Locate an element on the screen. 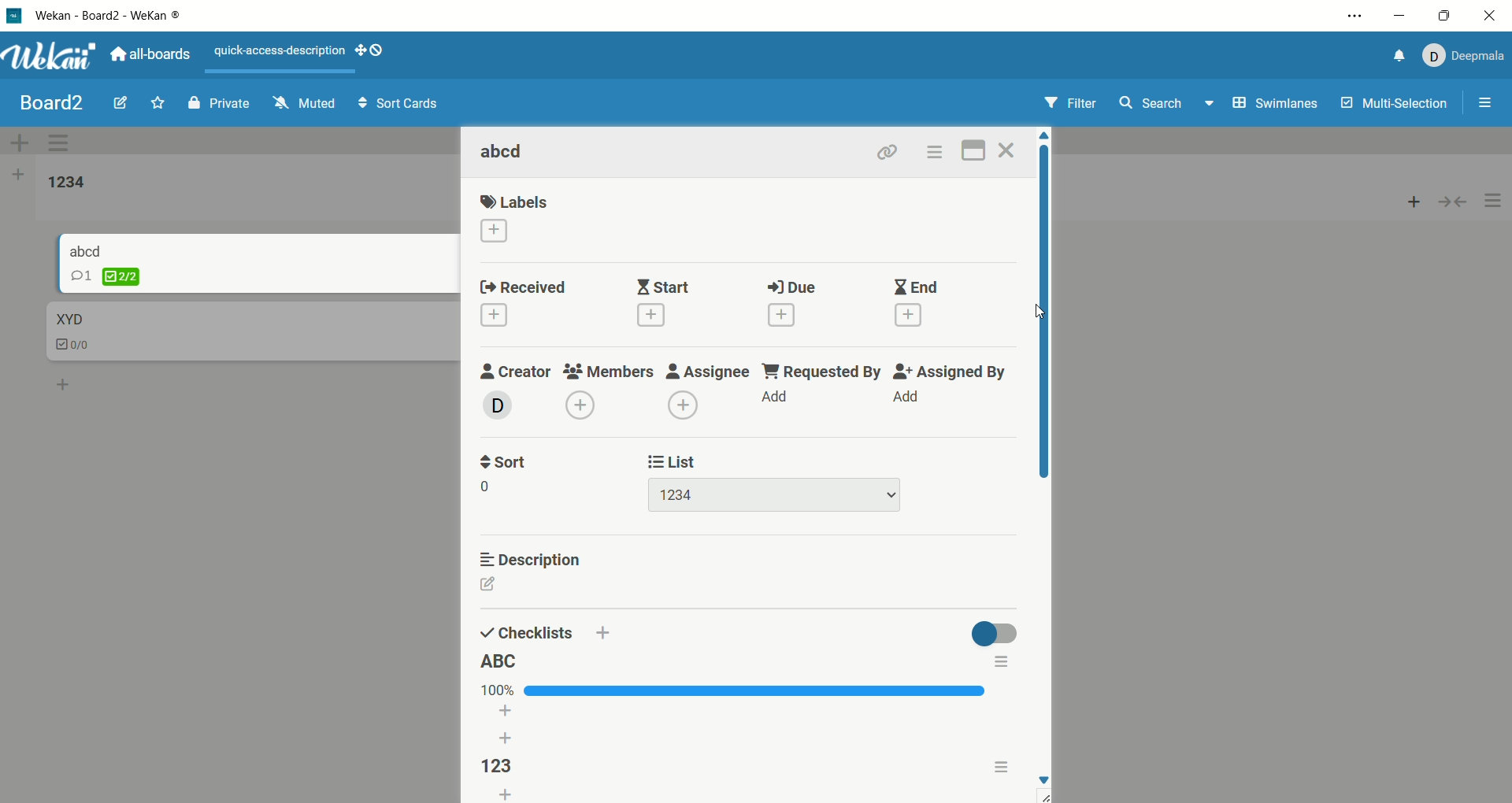 Image resolution: width=1512 pixels, height=803 pixels. progress is located at coordinates (735, 690).